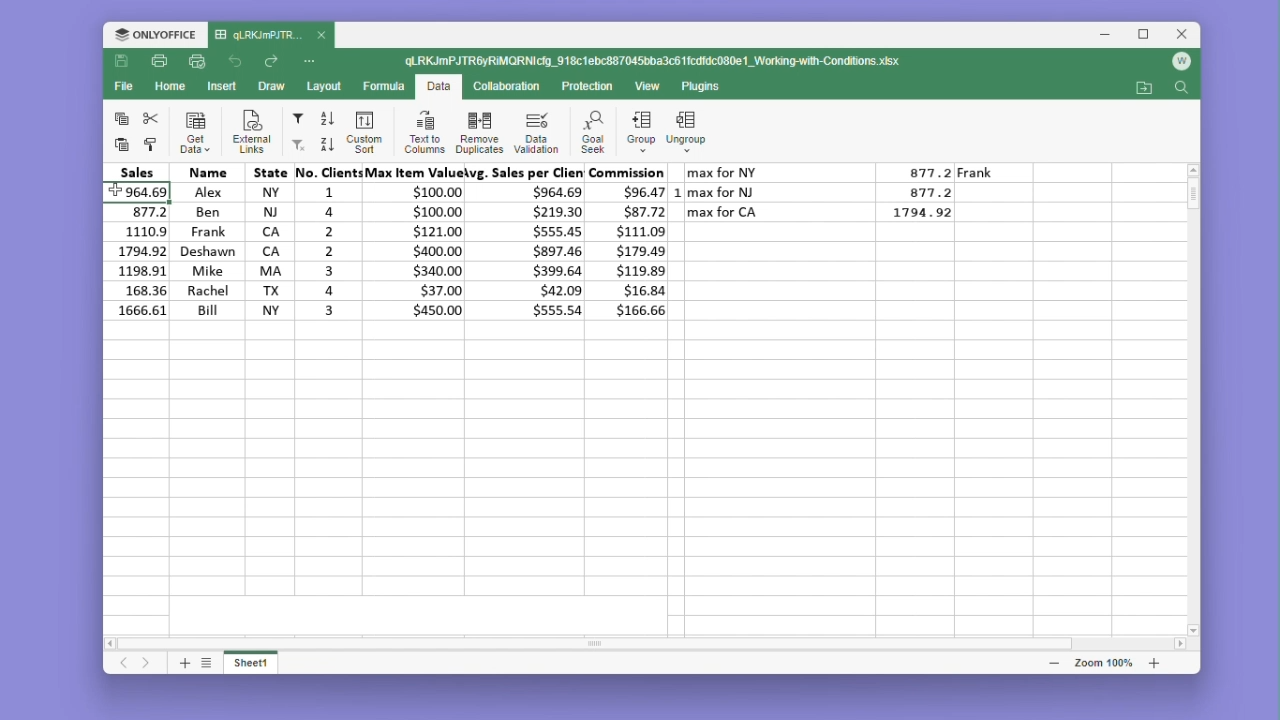 This screenshot has height=720, width=1280. Describe the element at coordinates (687, 133) in the screenshot. I see `Ungroup` at that location.